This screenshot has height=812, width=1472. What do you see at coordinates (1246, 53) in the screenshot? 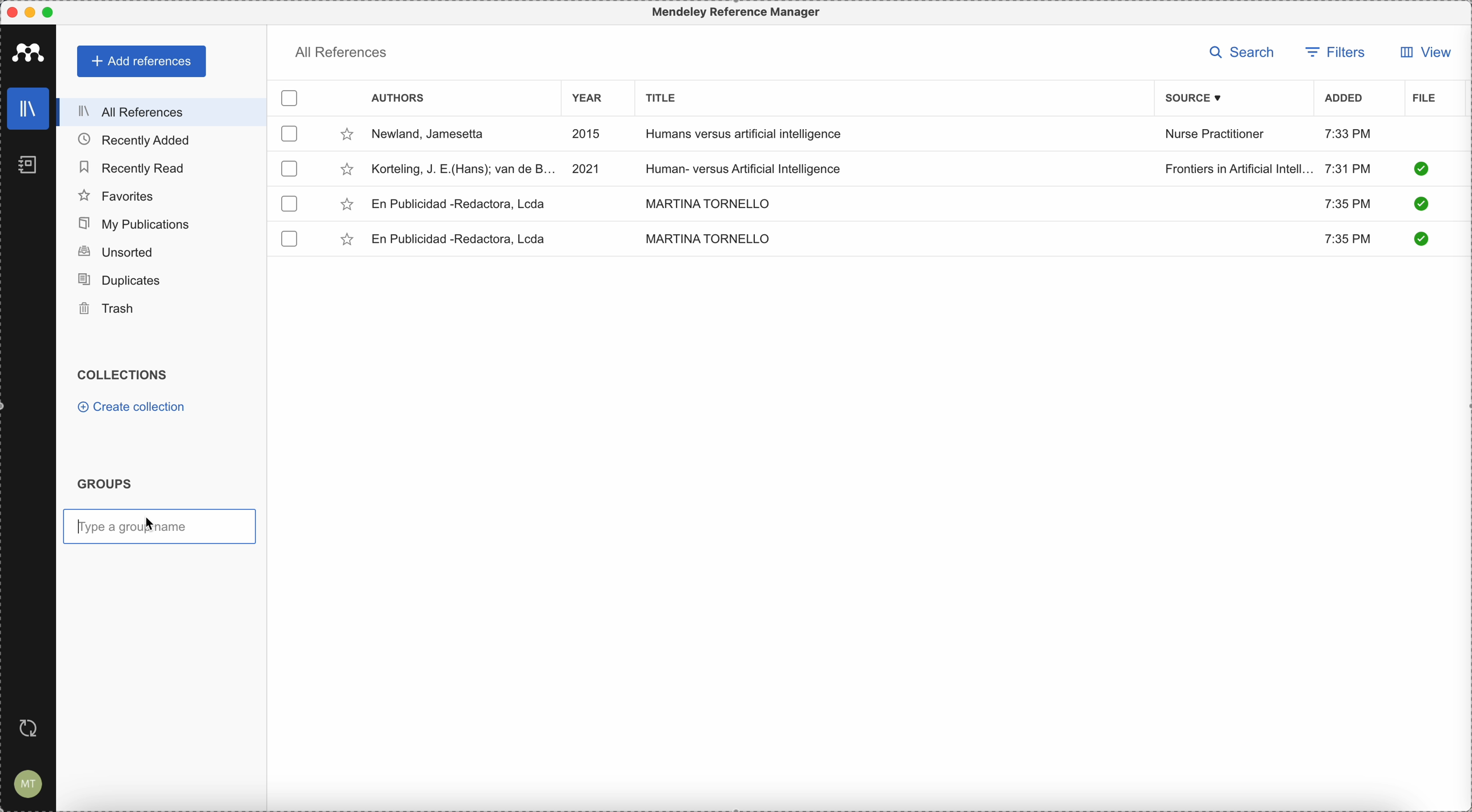
I see `search` at bounding box center [1246, 53].